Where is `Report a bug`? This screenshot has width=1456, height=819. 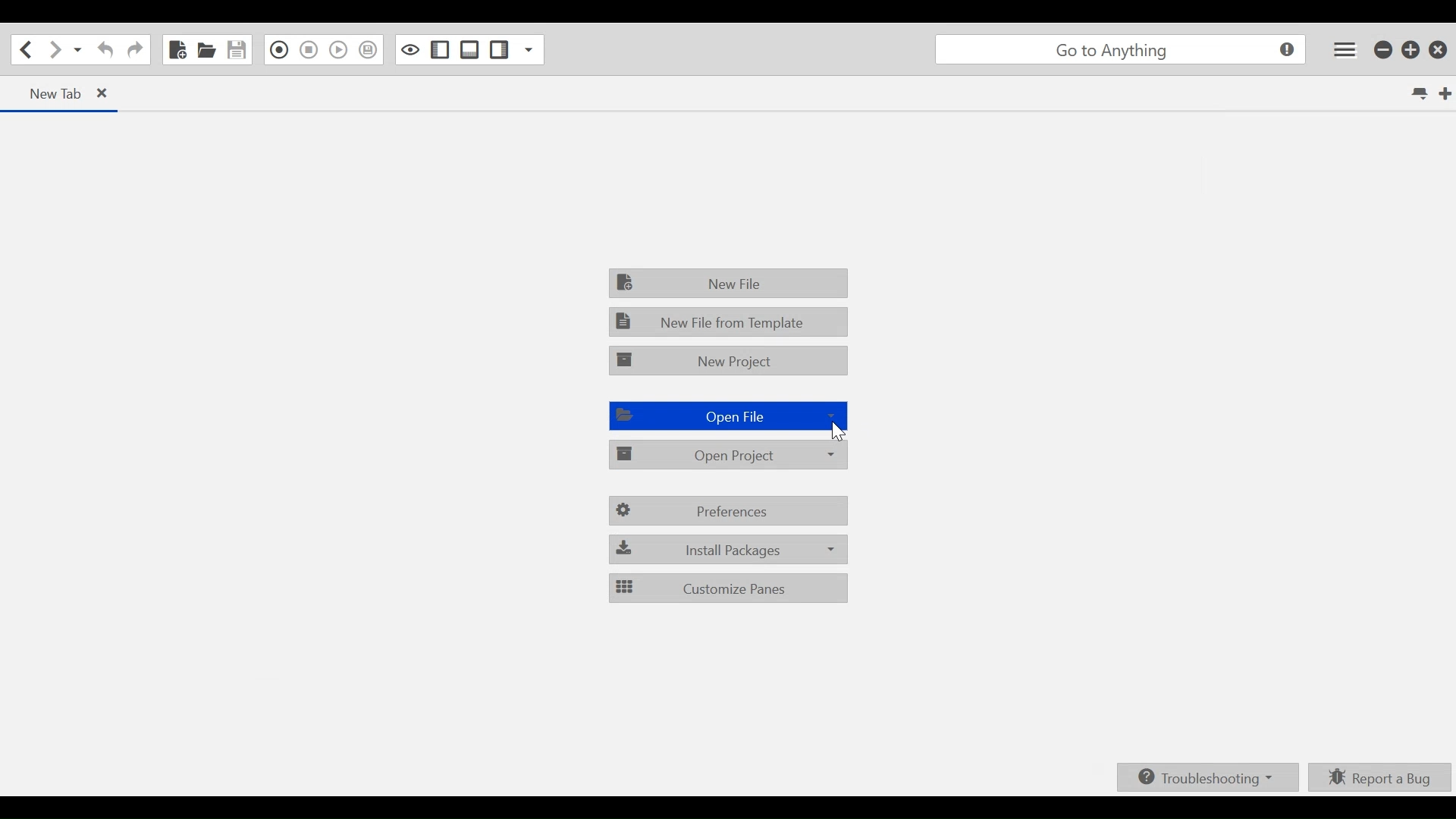
Report a bug is located at coordinates (1381, 777).